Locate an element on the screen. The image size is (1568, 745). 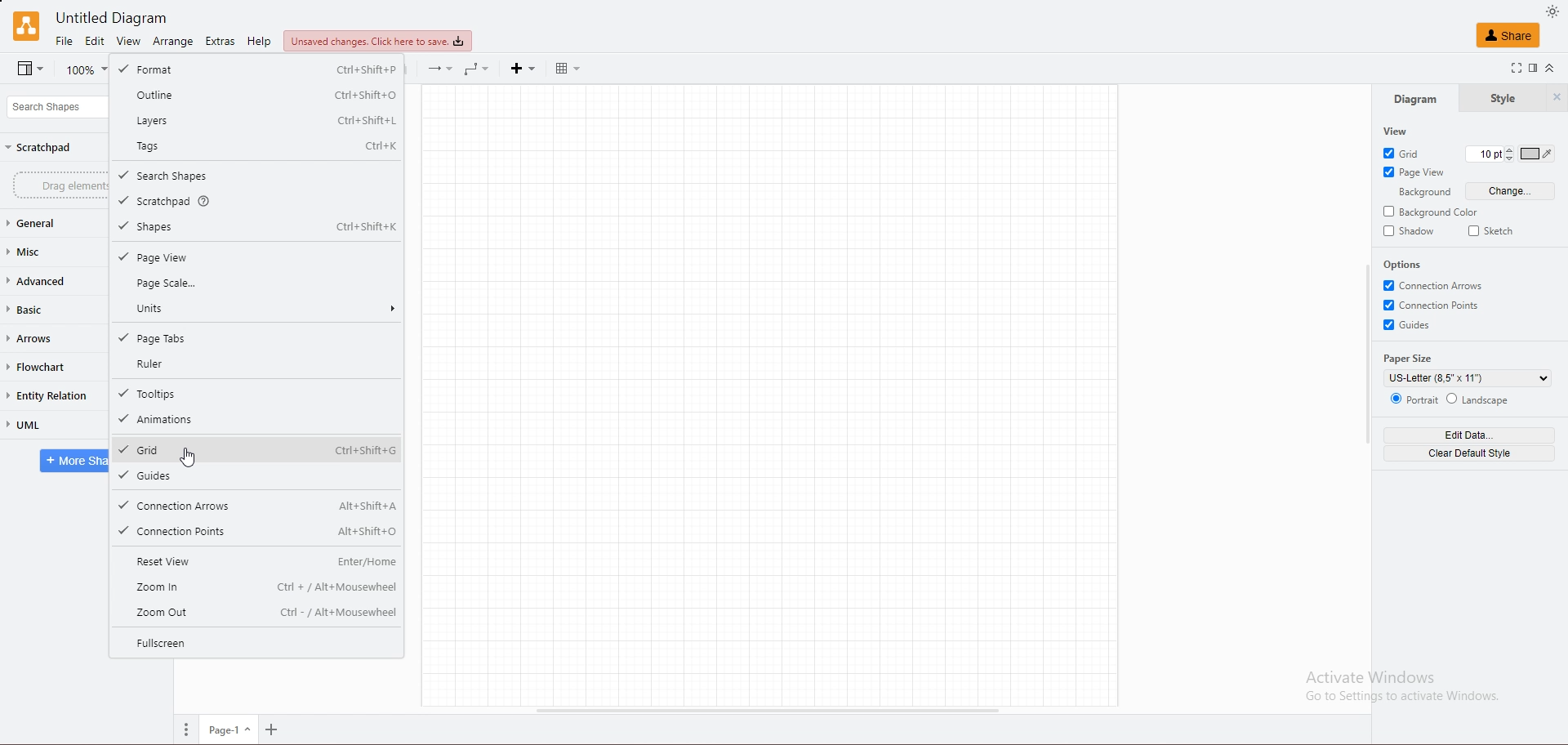
share is located at coordinates (1508, 36).